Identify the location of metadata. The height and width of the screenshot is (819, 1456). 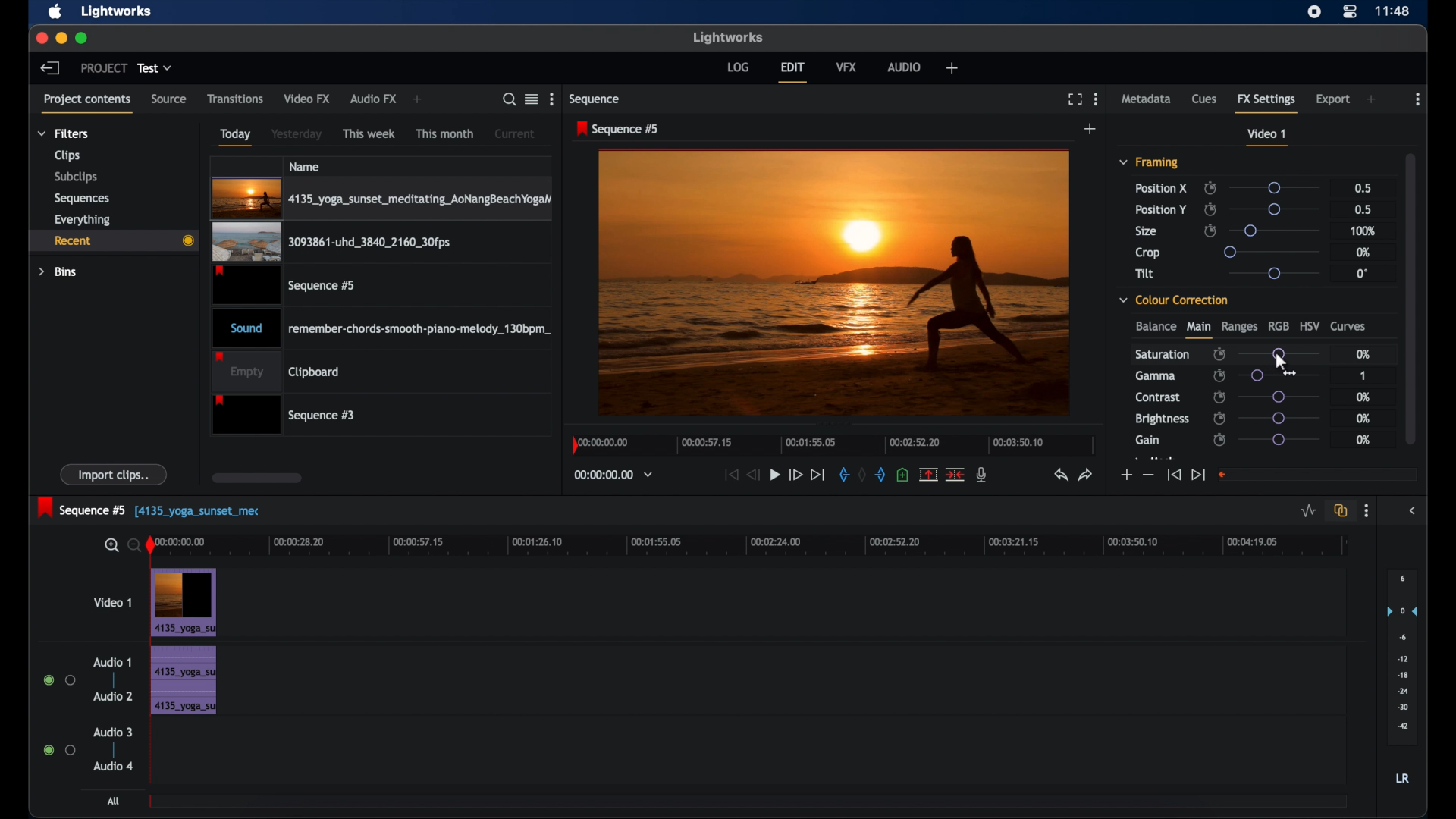
(1147, 99).